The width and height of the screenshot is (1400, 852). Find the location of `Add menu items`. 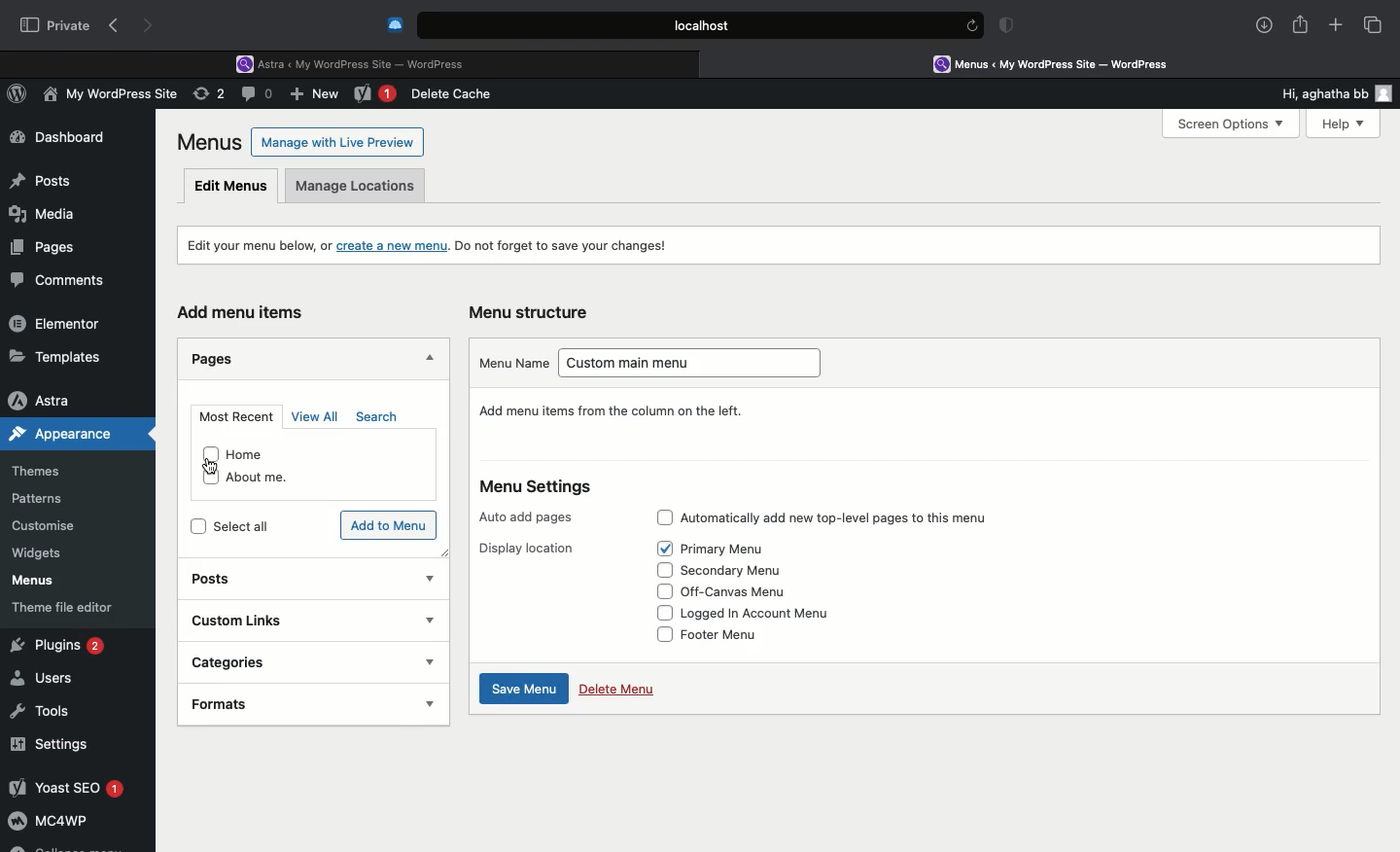

Add menu items is located at coordinates (249, 313).